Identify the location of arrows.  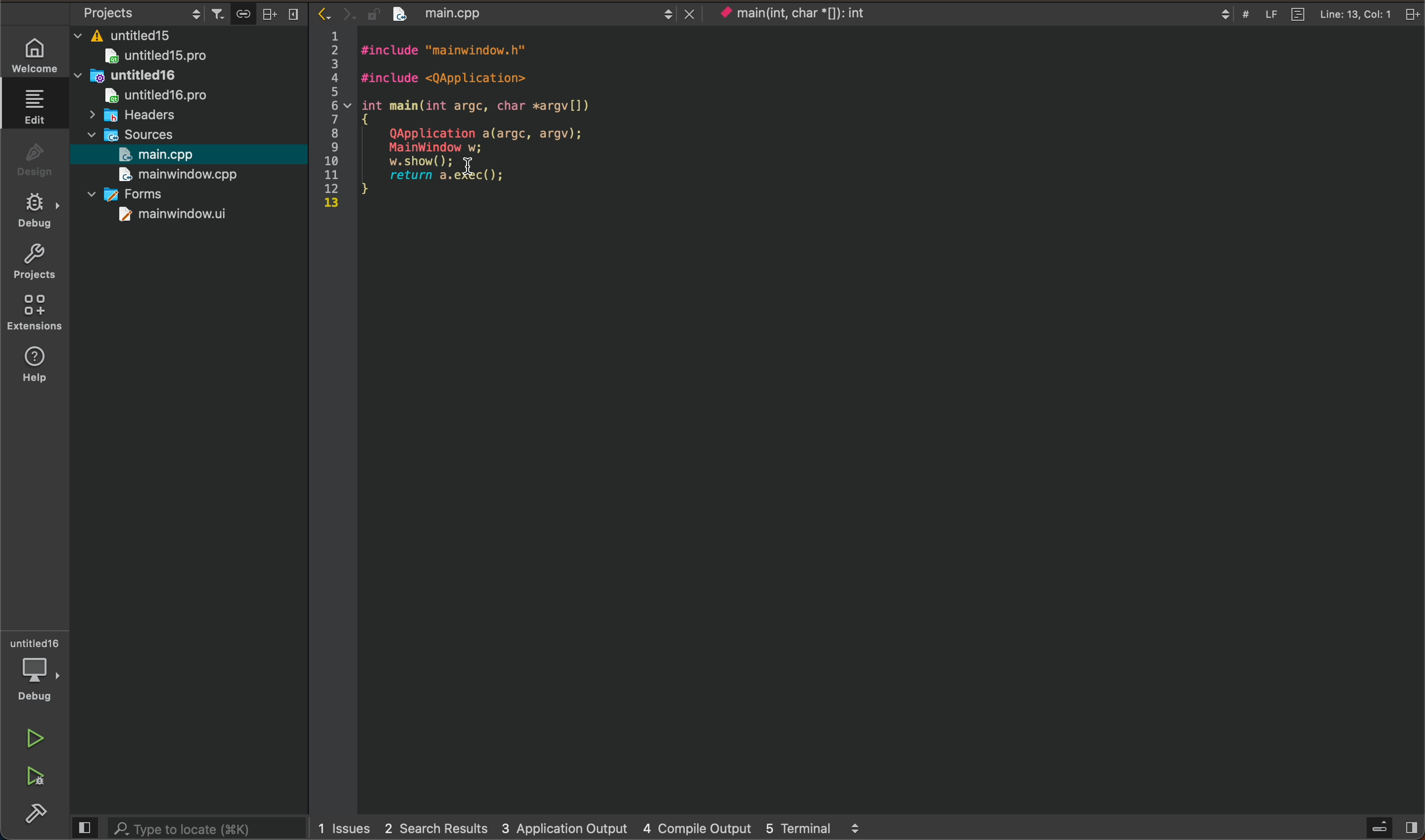
(346, 11).